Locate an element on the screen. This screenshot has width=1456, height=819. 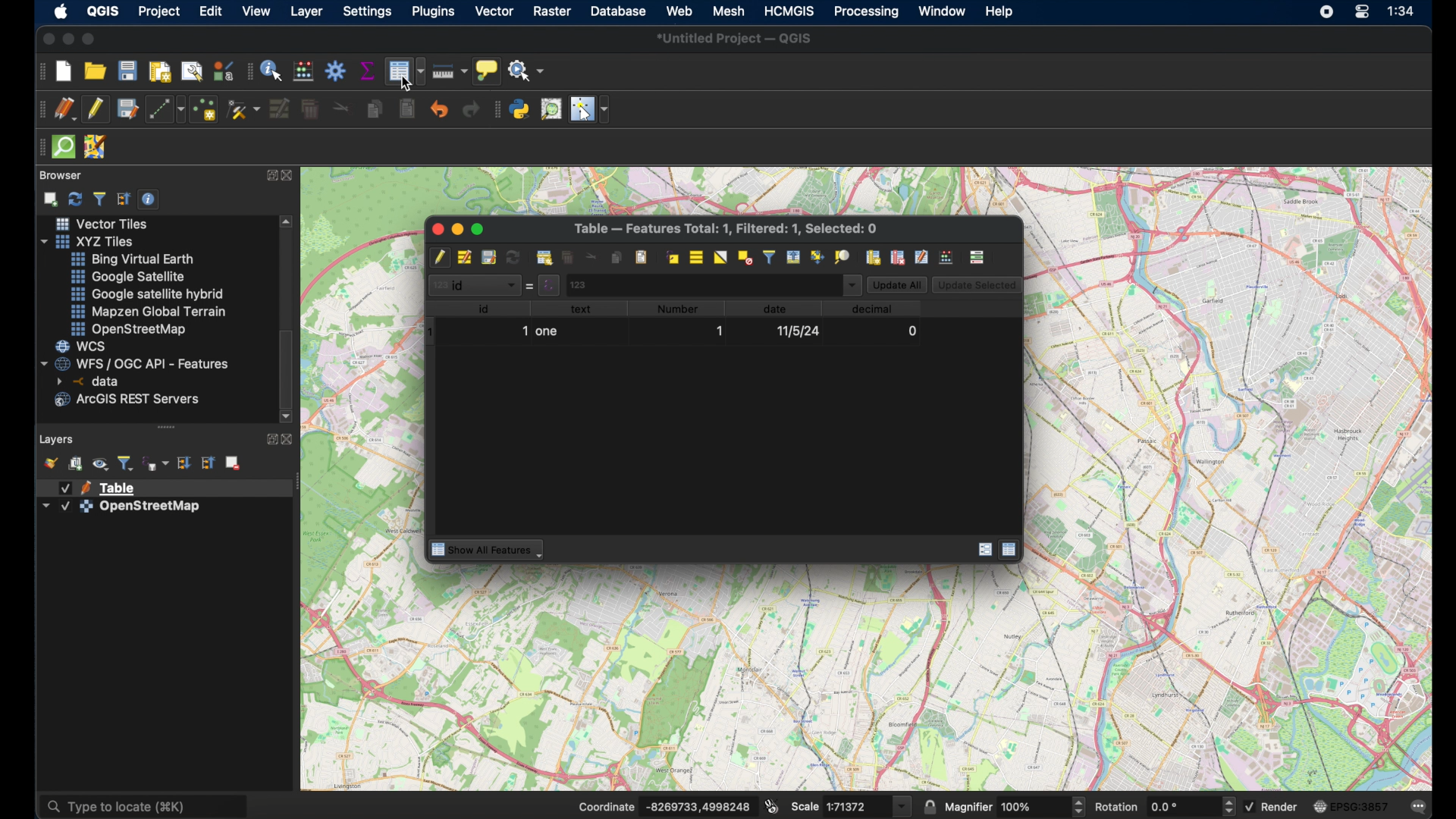
quicksom is located at coordinates (64, 146).